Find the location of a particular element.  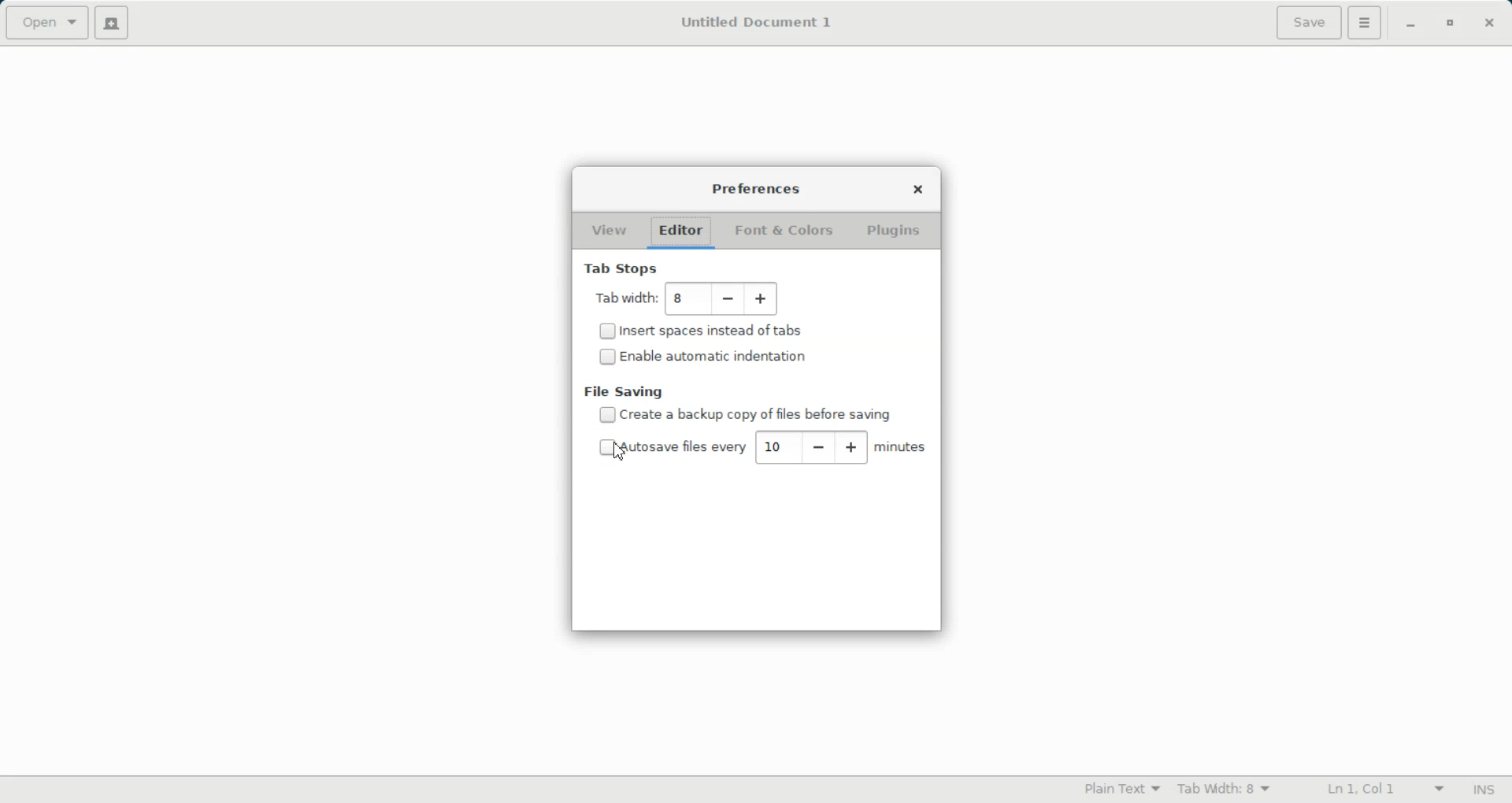

settings is located at coordinates (1364, 24).